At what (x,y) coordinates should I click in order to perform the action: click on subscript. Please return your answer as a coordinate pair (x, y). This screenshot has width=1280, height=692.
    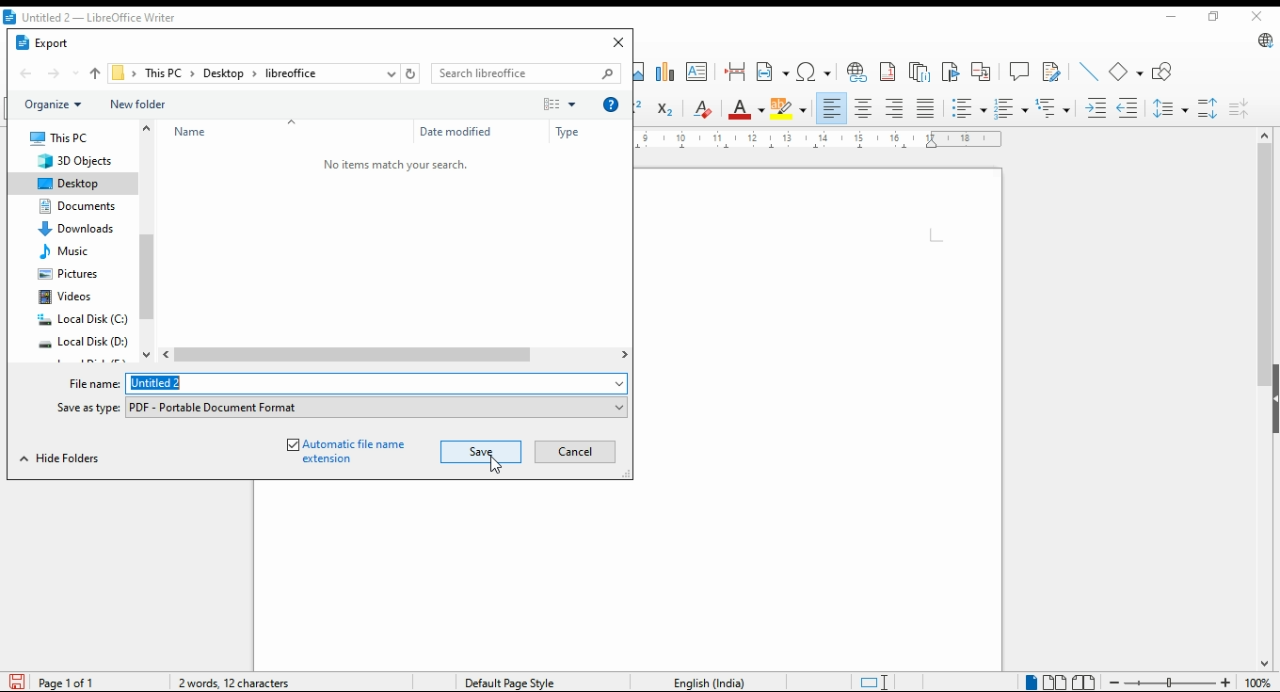
    Looking at the image, I should click on (664, 110).